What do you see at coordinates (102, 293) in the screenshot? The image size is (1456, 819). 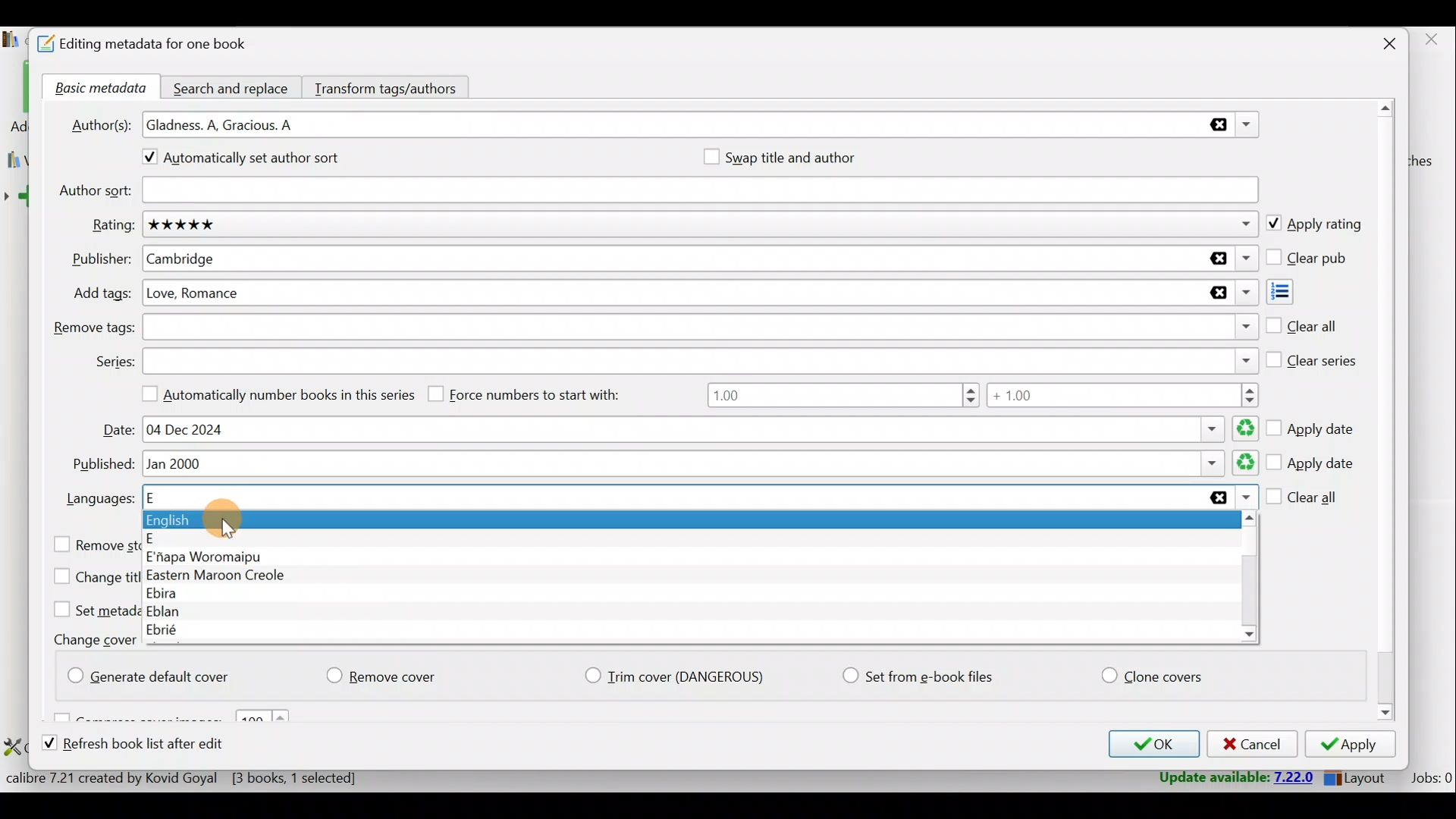 I see `Add tags:` at bounding box center [102, 293].